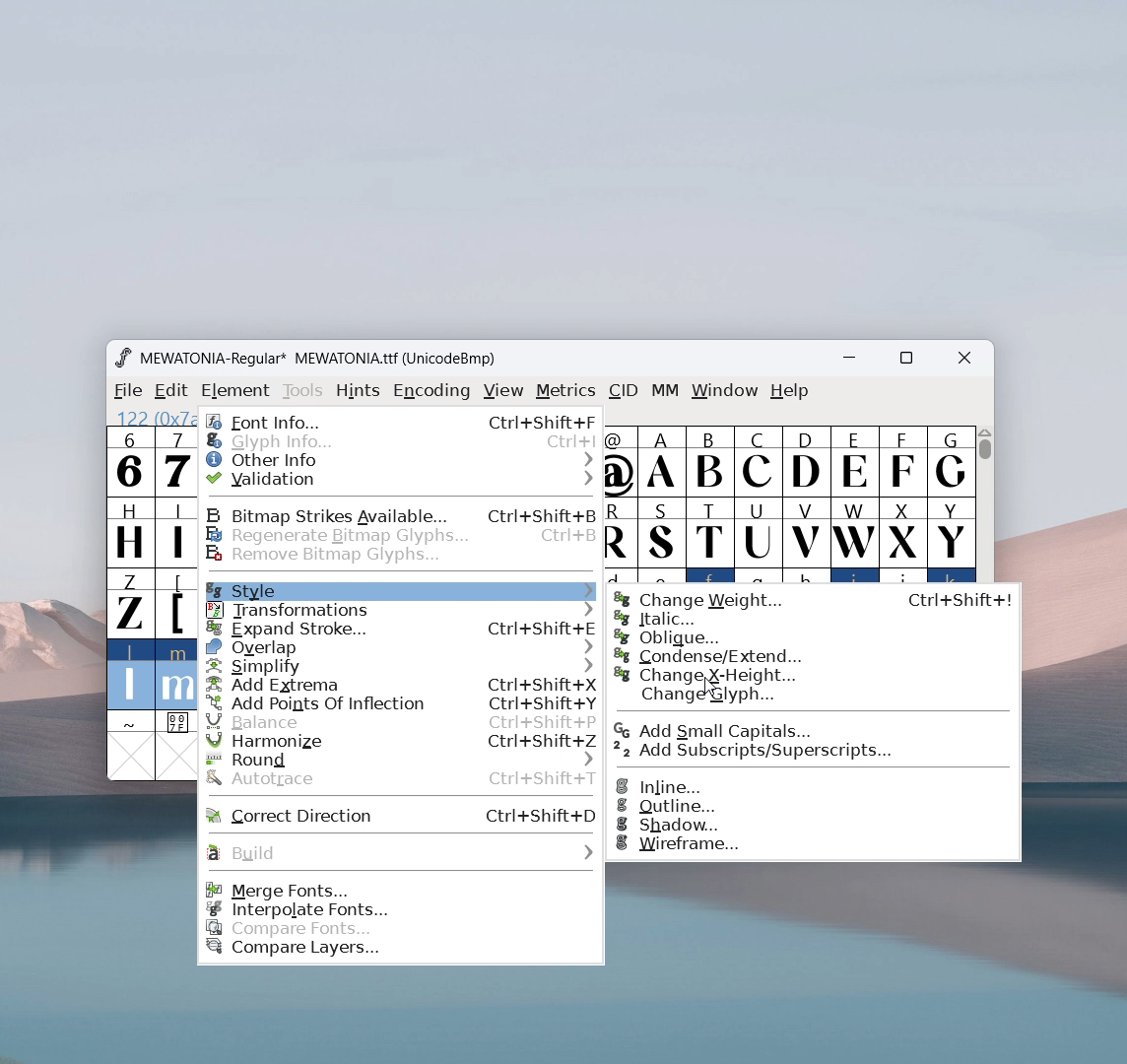  Describe the element at coordinates (402, 761) in the screenshot. I see `round` at that location.